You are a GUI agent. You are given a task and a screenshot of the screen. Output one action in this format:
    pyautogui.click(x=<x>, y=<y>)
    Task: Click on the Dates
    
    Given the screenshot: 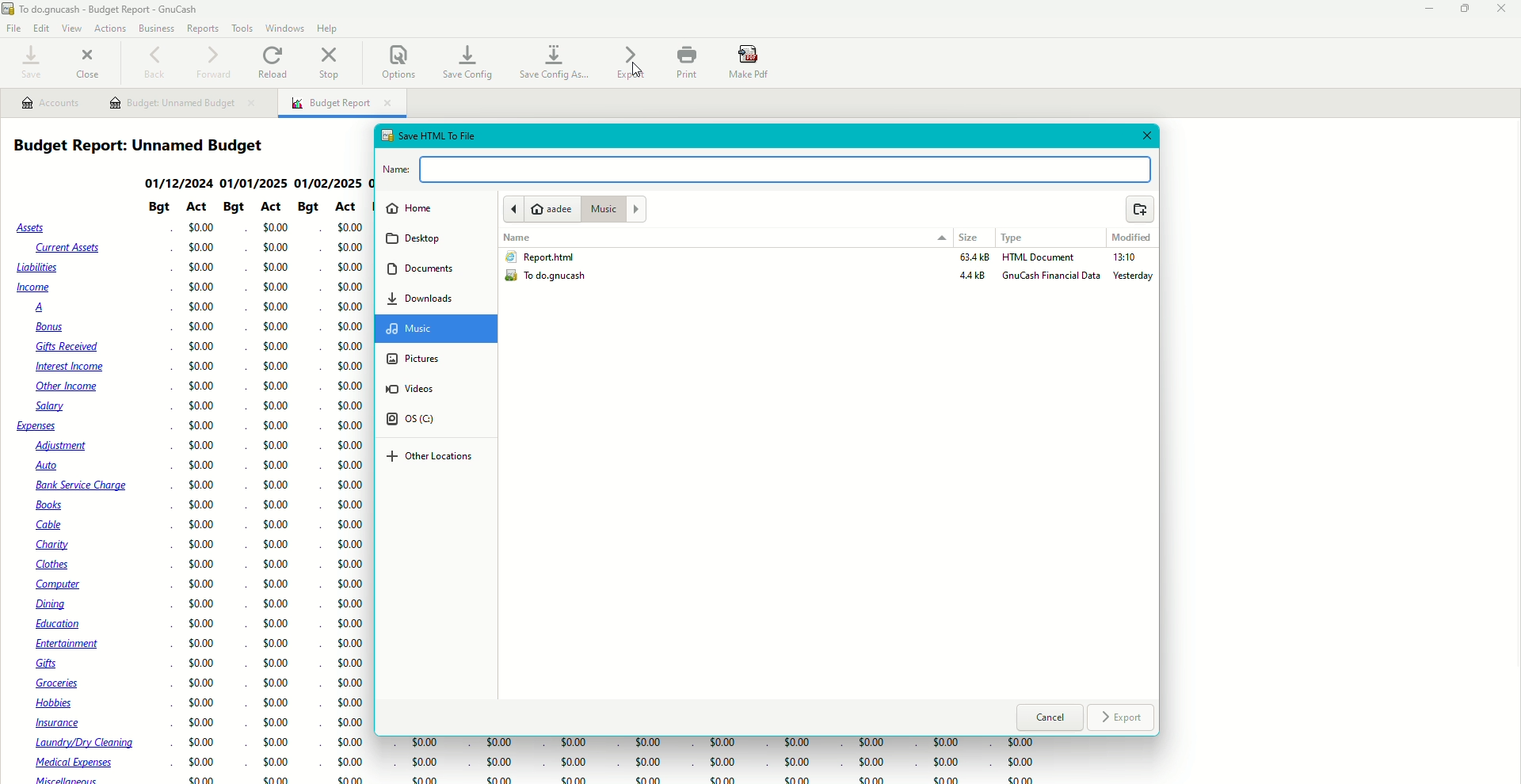 What is the action you would take?
    pyautogui.click(x=255, y=182)
    